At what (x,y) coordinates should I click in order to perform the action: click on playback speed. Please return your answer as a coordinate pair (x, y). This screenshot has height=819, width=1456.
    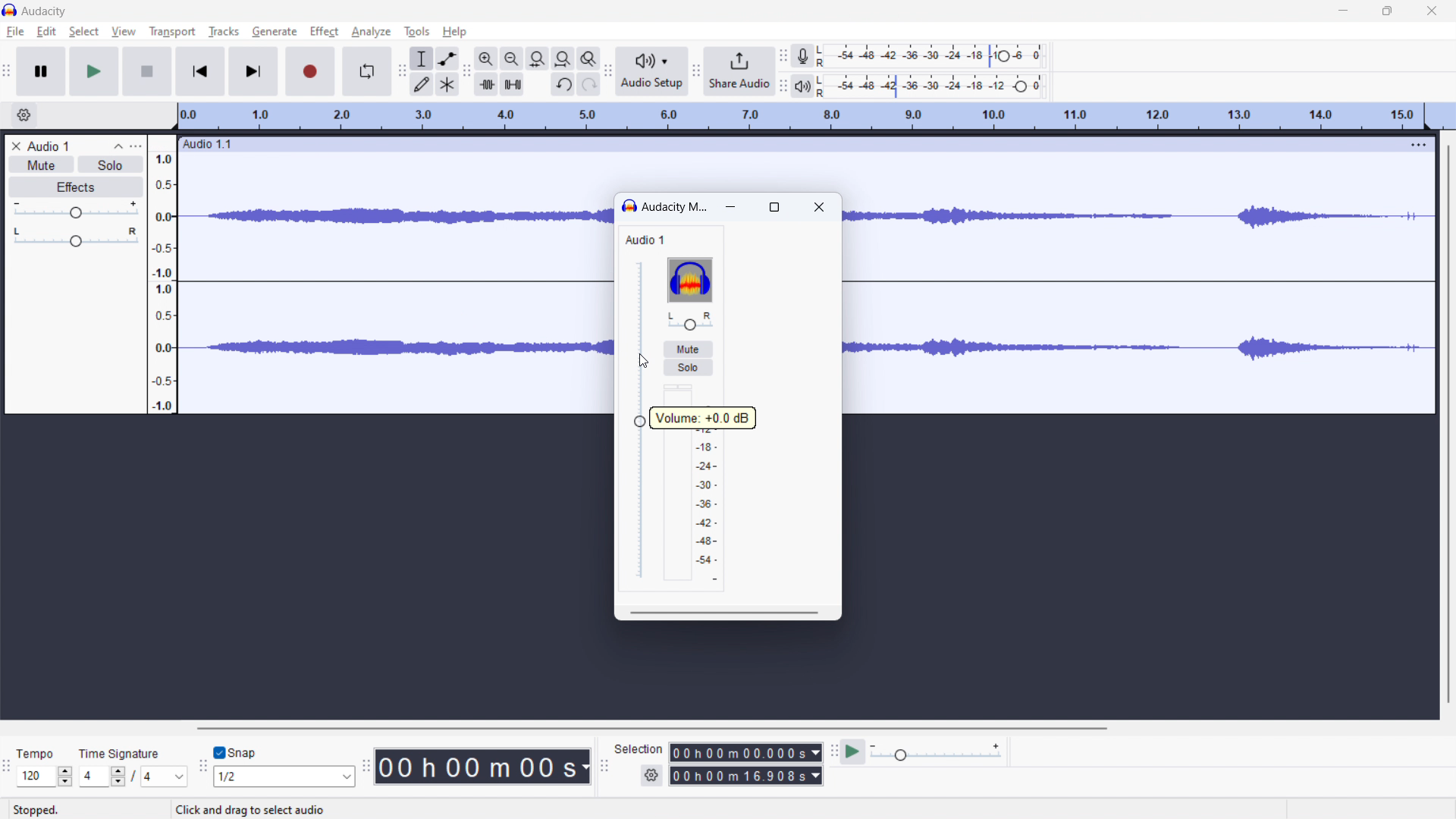
    Looking at the image, I should click on (937, 752).